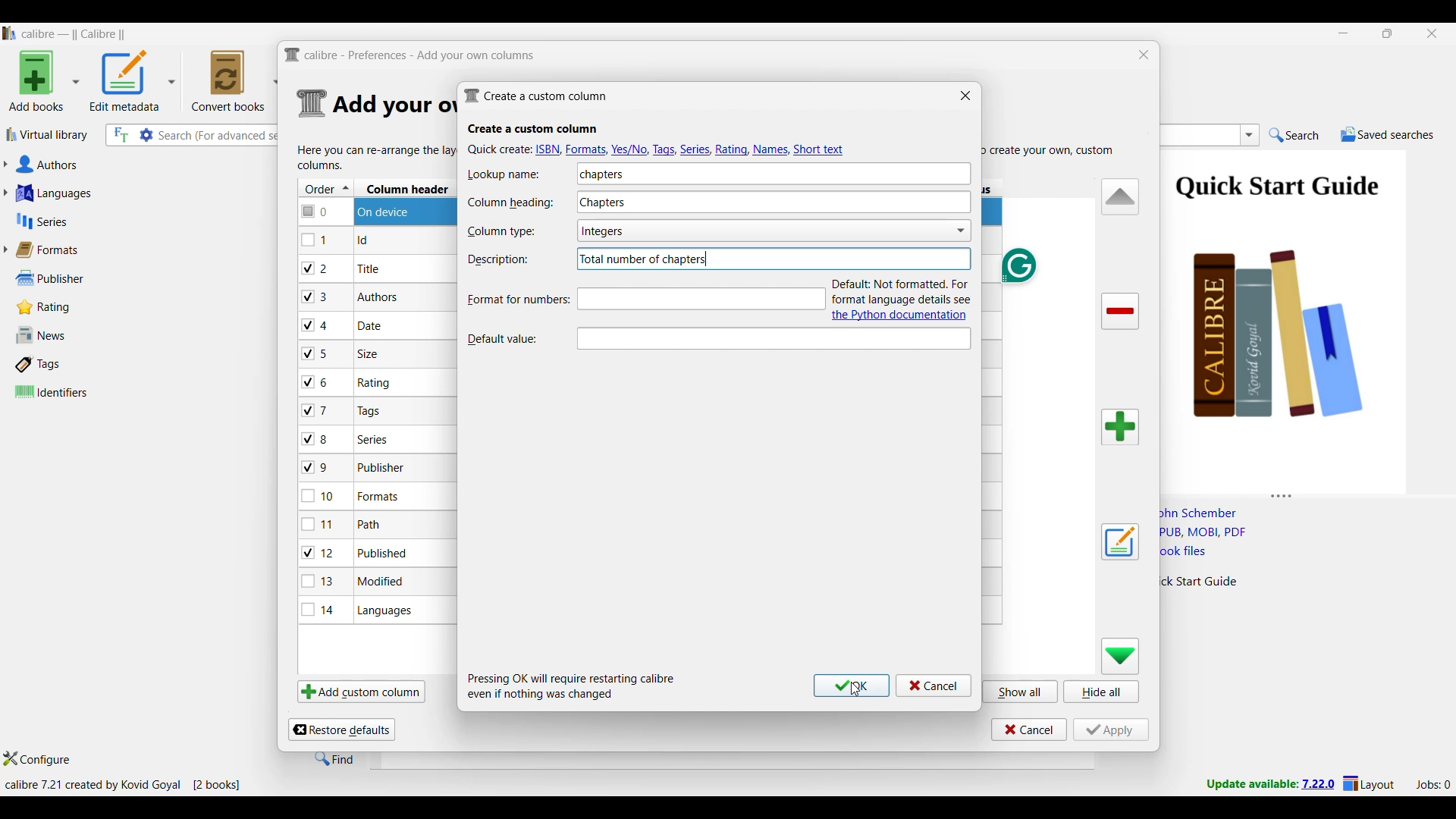  Describe the element at coordinates (852, 694) in the screenshot. I see `cursor` at that location.